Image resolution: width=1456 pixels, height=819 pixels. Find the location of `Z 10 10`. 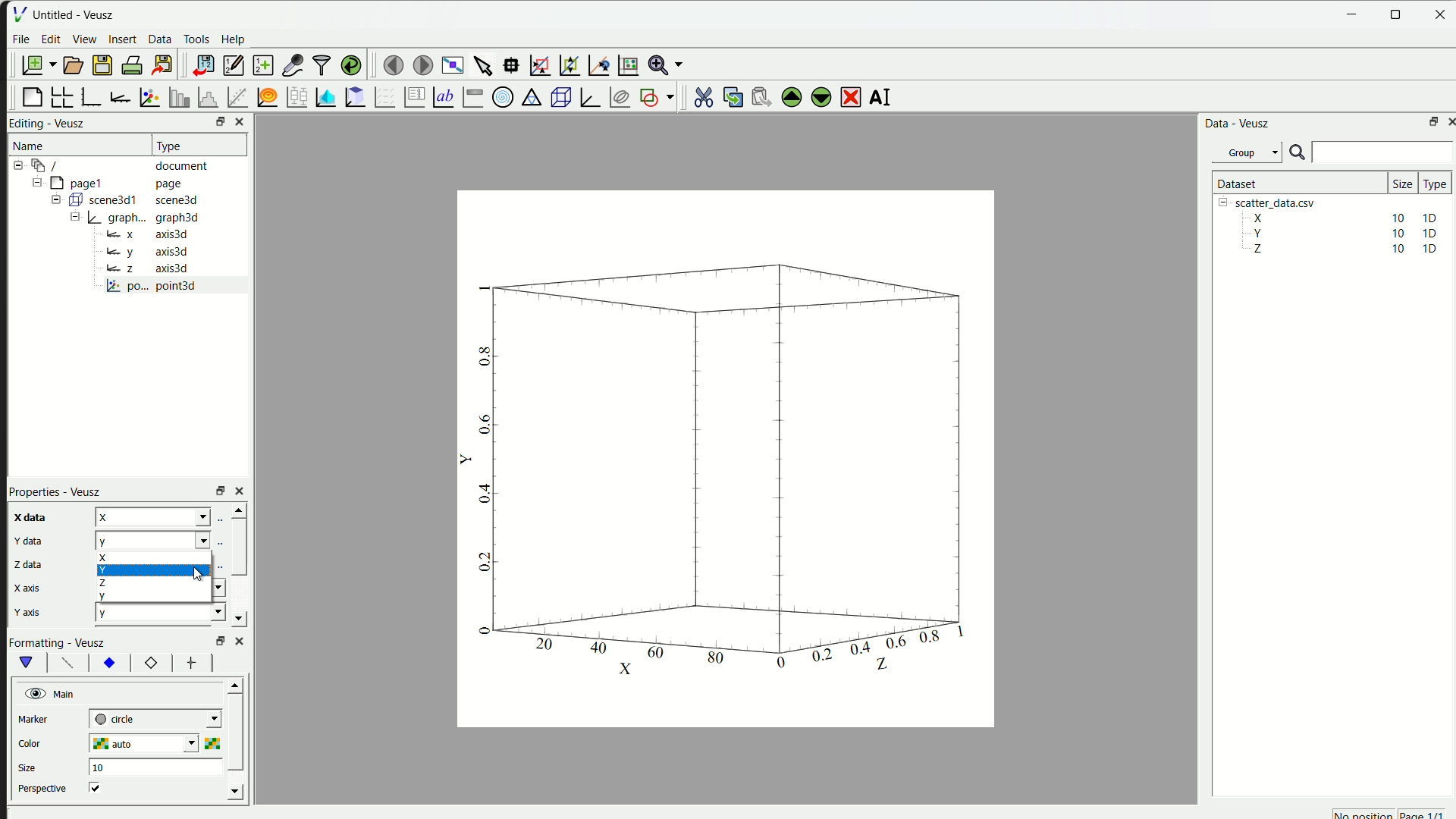

Z 10 10 is located at coordinates (1341, 250).